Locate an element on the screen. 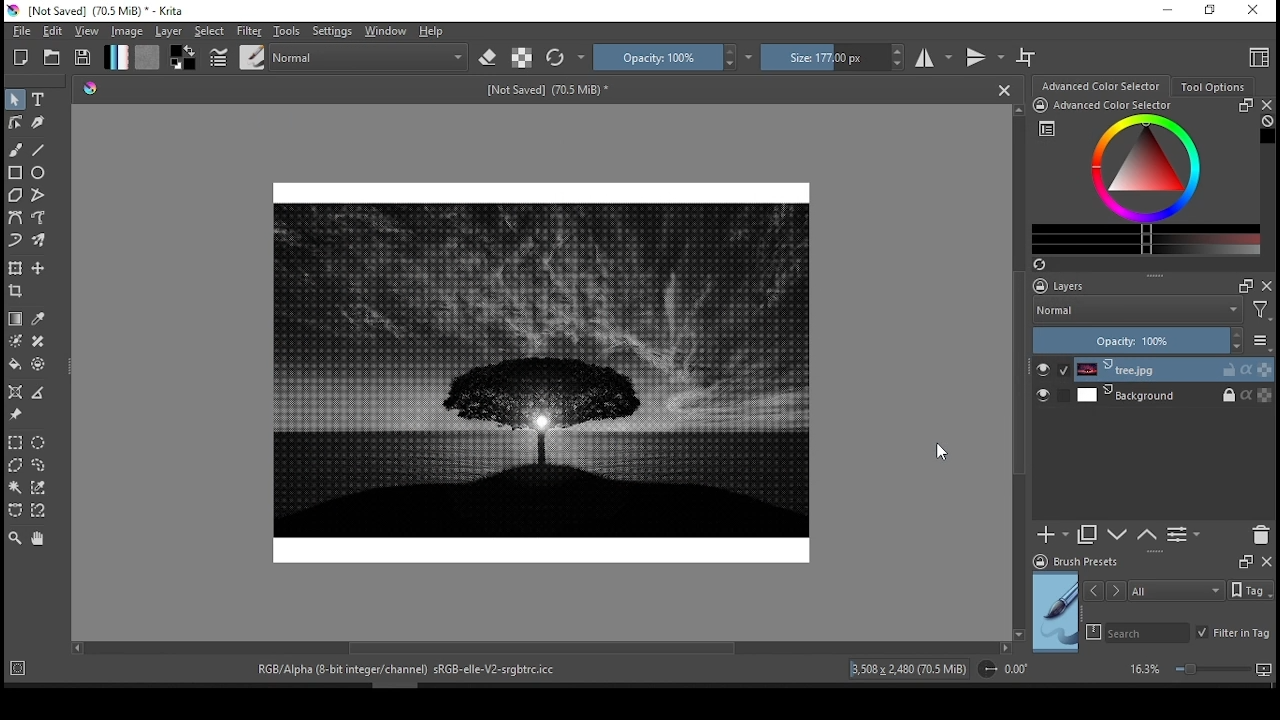 This screenshot has height=720, width=1280. freehand selection tool is located at coordinates (39, 464).